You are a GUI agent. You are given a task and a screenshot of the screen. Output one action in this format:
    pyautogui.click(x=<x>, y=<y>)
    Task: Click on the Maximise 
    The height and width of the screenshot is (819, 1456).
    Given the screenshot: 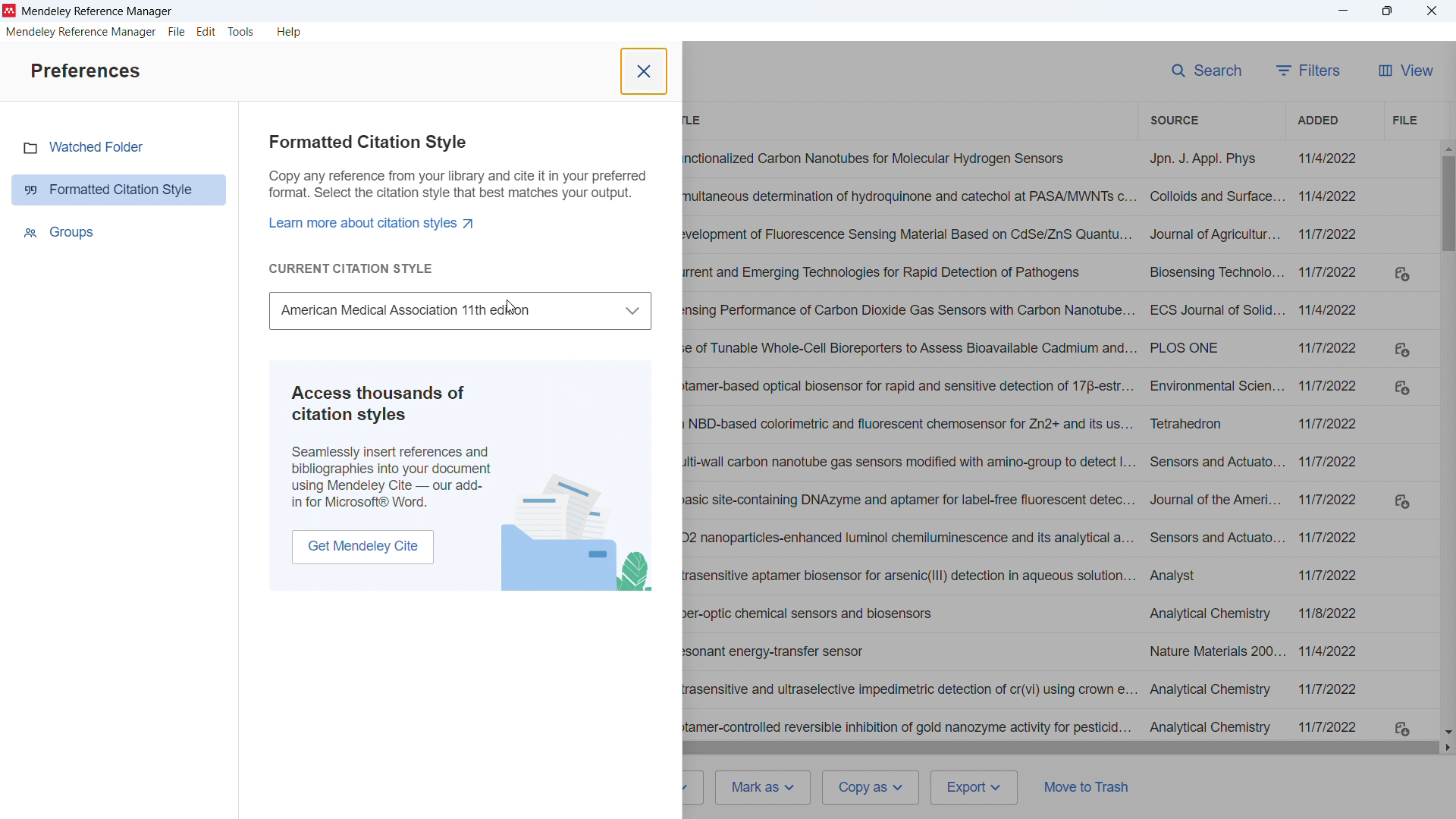 What is the action you would take?
    pyautogui.click(x=1385, y=11)
    